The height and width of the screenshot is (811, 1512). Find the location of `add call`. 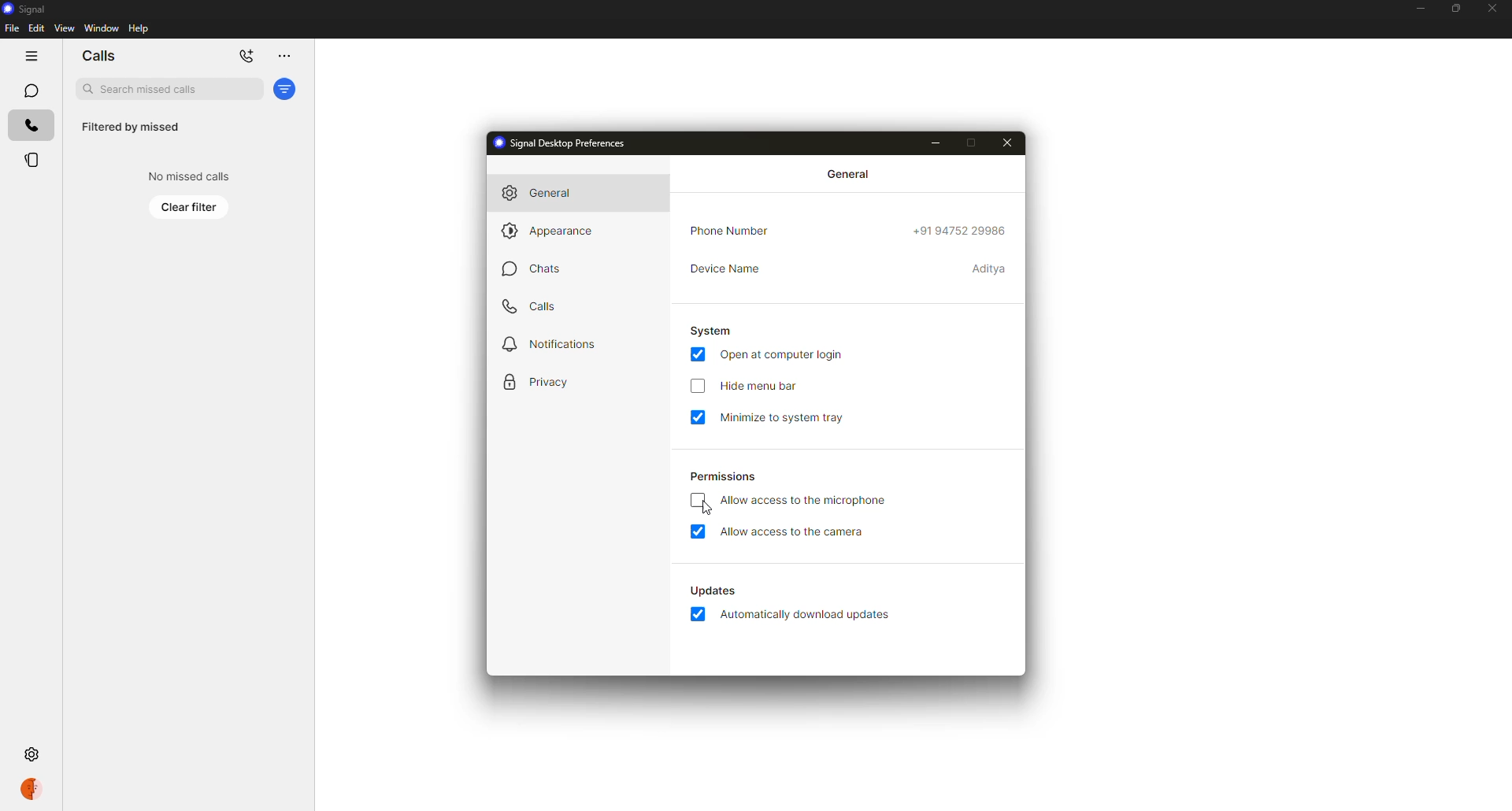

add call is located at coordinates (247, 57).